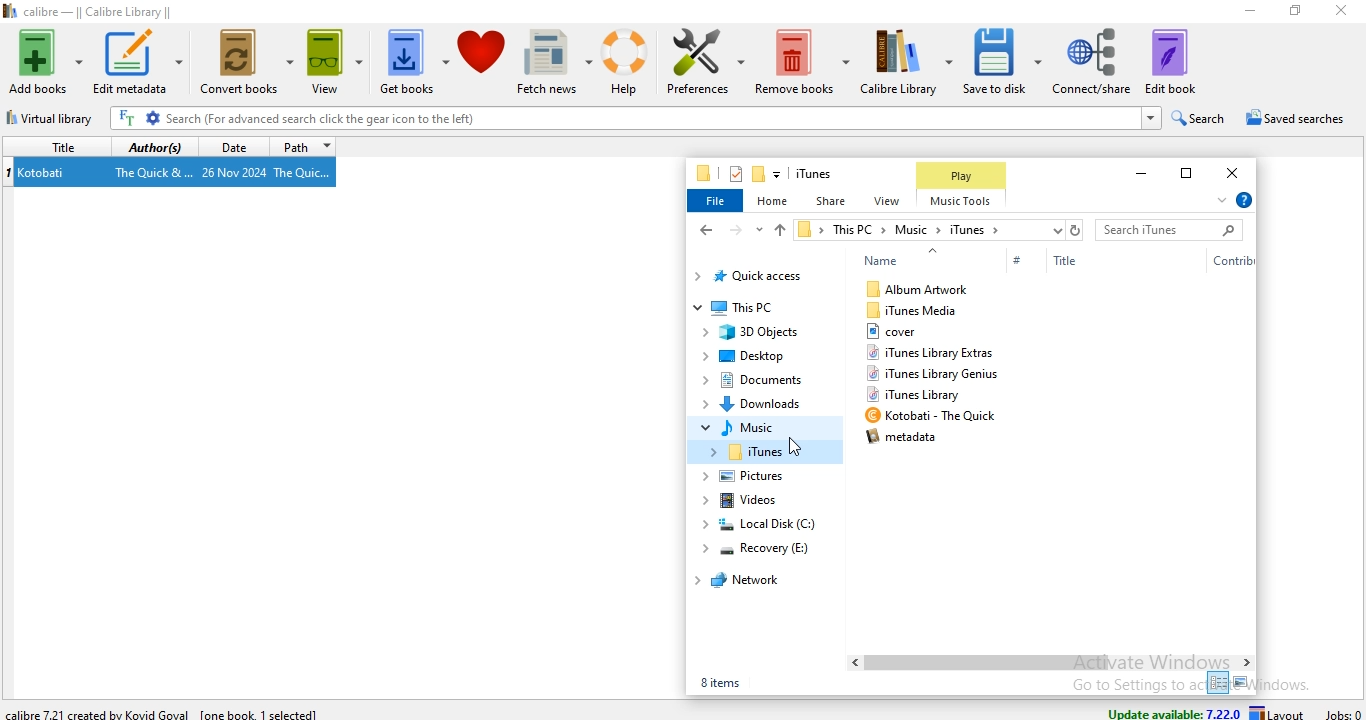 The width and height of the screenshot is (1366, 720). What do you see at coordinates (961, 200) in the screenshot?
I see `Music Tools` at bounding box center [961, 200].